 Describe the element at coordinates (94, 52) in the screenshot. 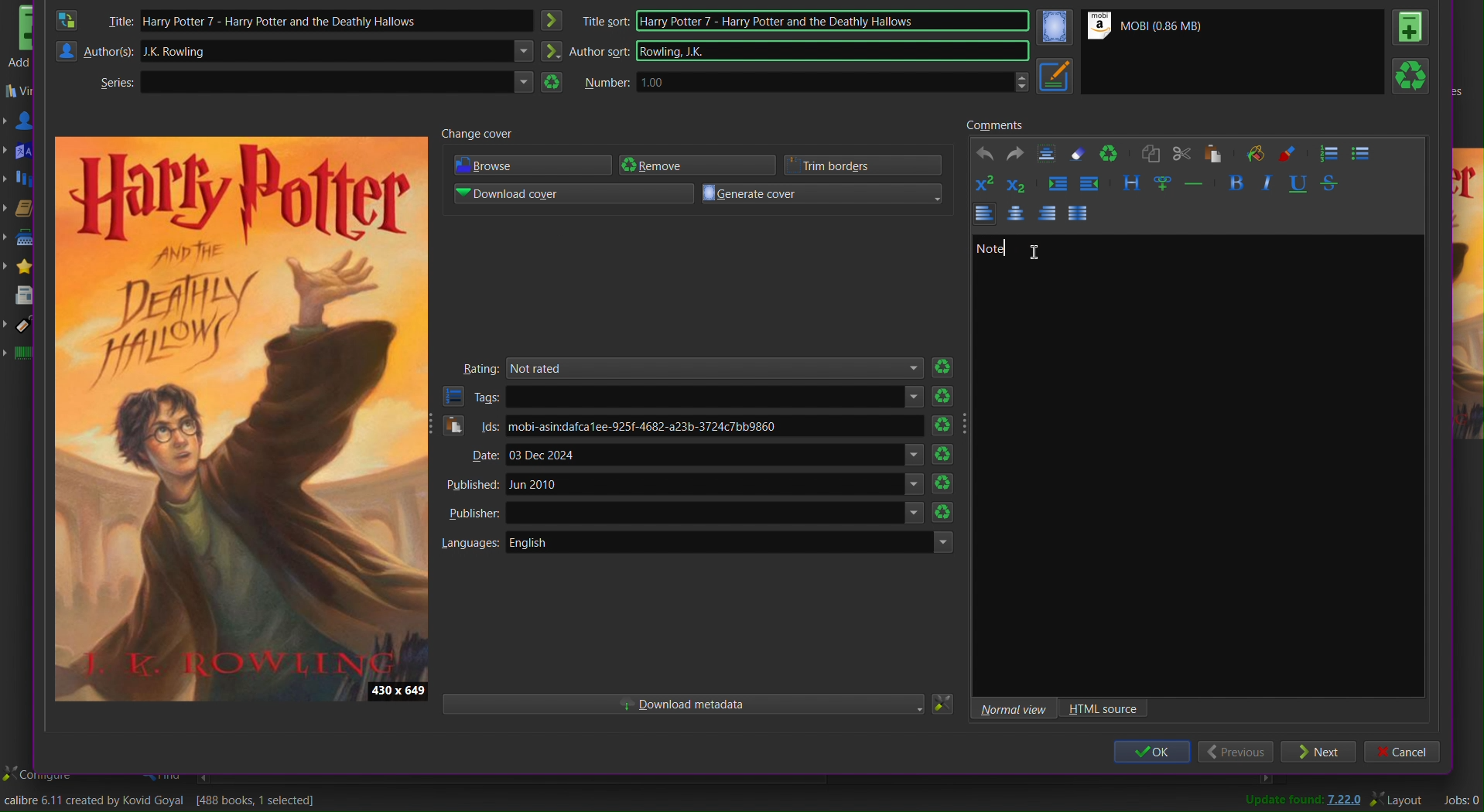

I see `Authors` at that location.